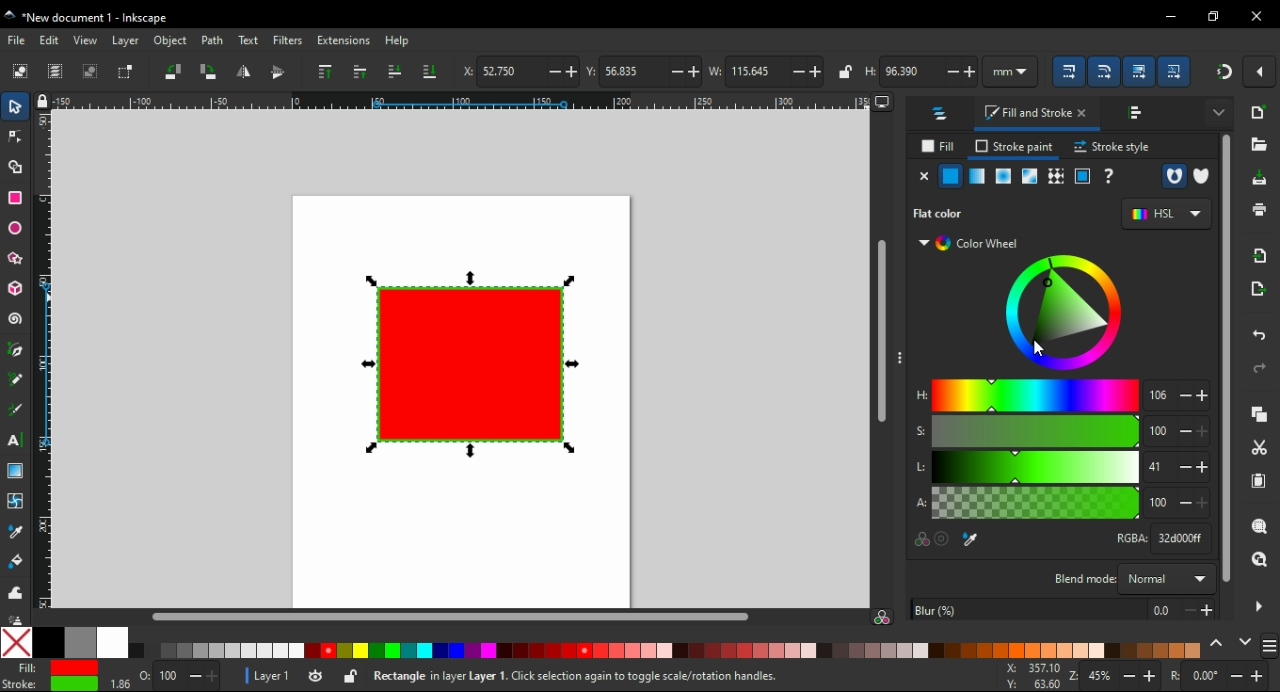  Describe the element at coordinates (360, 72) in the screenshot. I see `raise` at that location.